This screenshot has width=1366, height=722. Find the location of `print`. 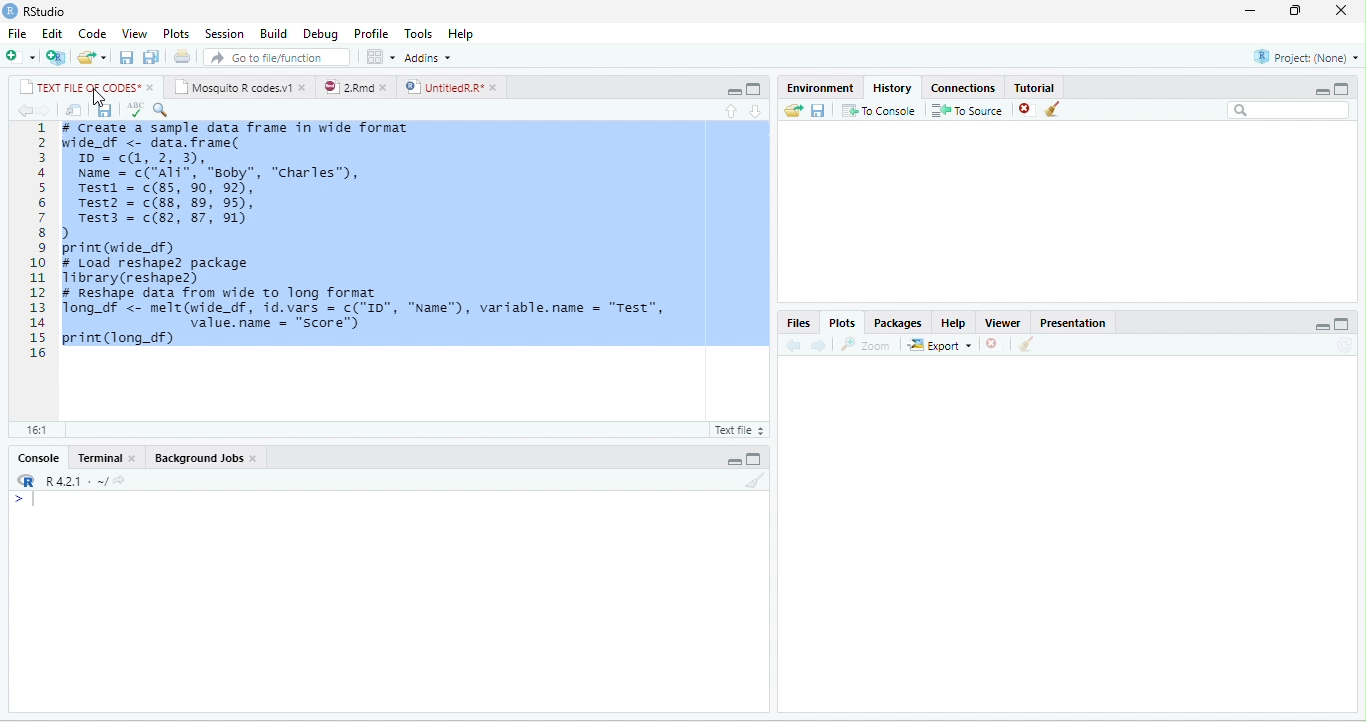

print is located at coordinates (183, 57).